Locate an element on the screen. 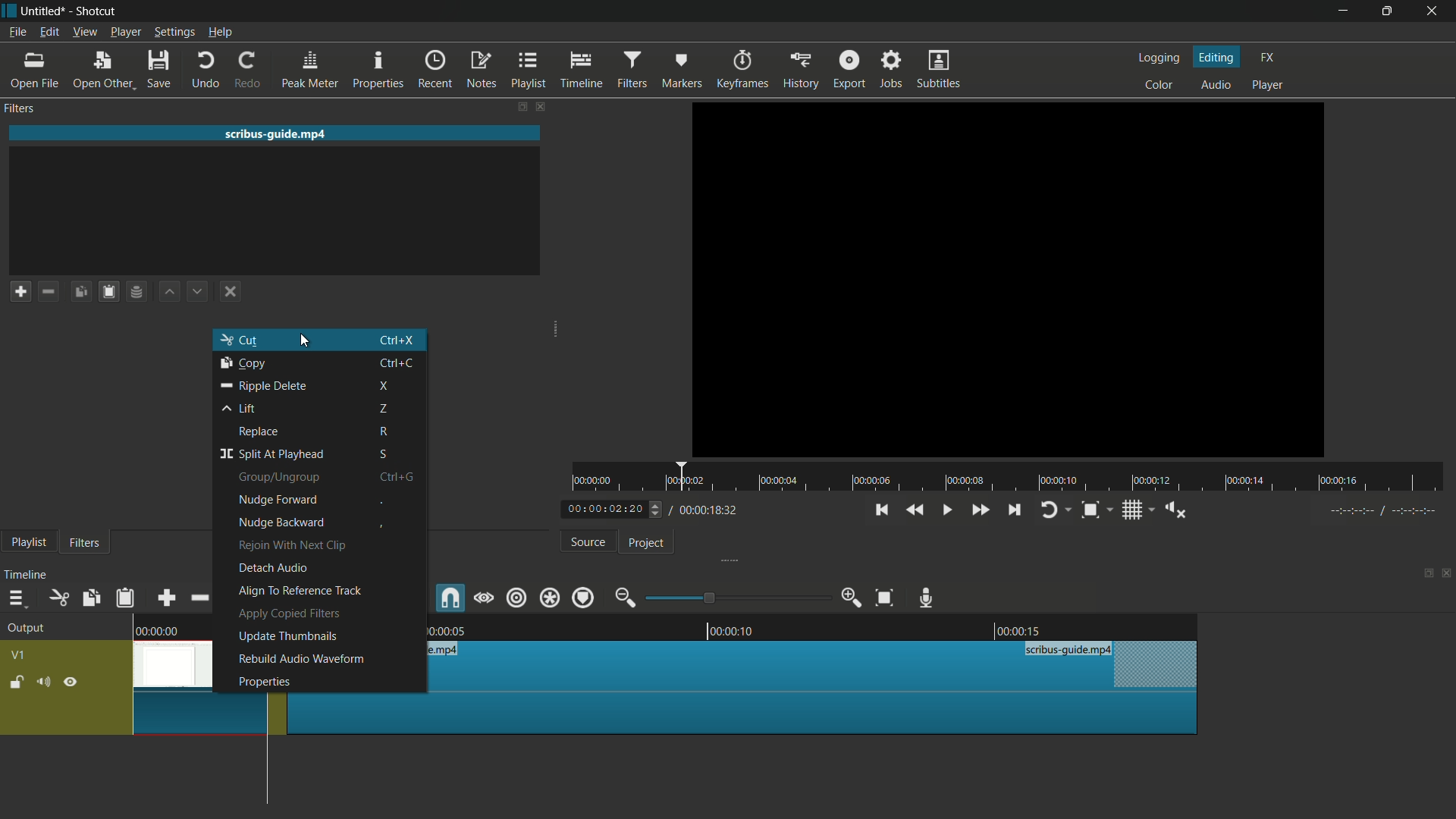  save is located at coordinates (158, 68).